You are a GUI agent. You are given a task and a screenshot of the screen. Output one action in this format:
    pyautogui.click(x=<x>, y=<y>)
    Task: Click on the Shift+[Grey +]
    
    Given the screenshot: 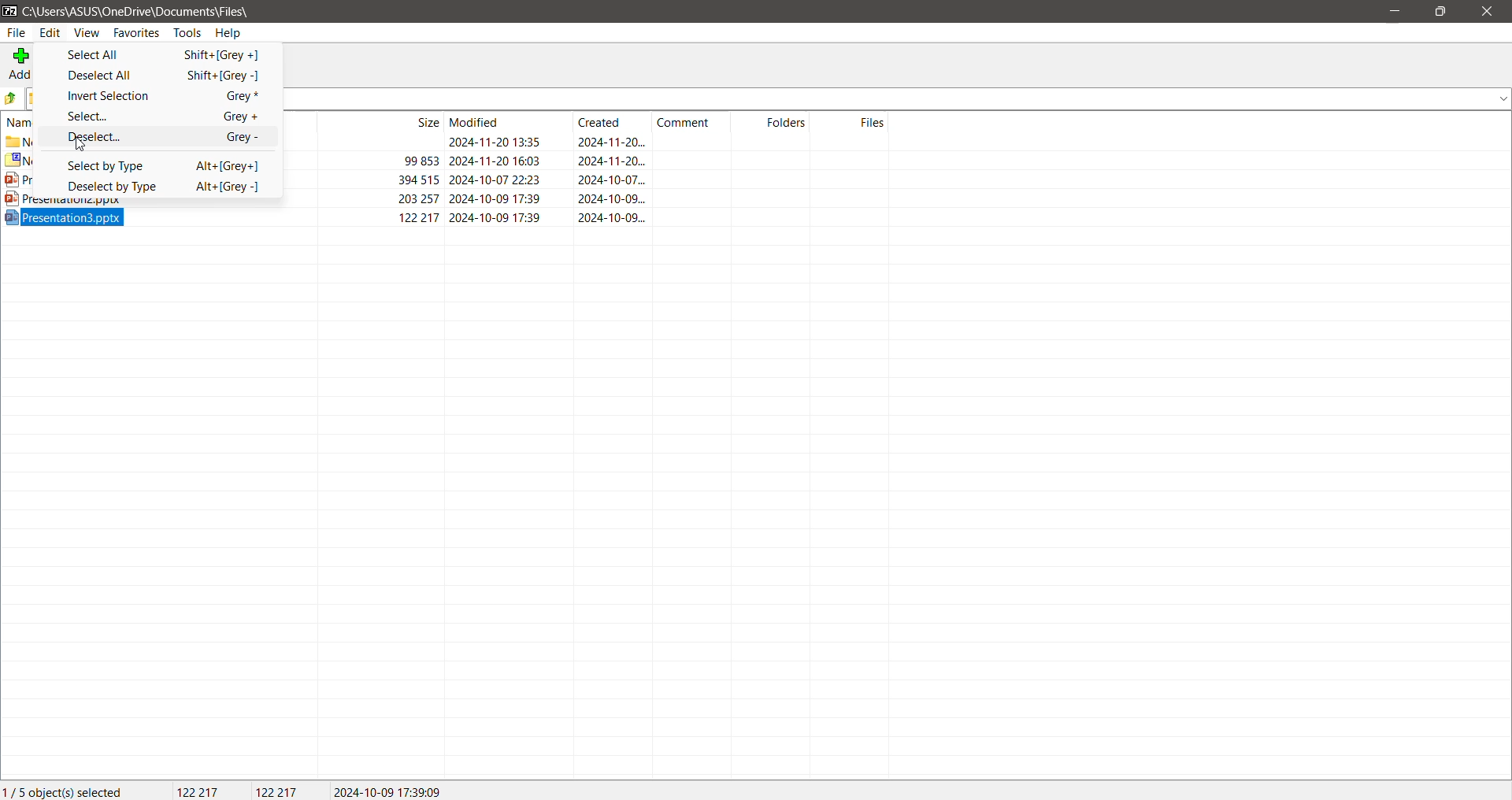 What is the action you would take?
    pyautogui.click(x=227, y=55)
    